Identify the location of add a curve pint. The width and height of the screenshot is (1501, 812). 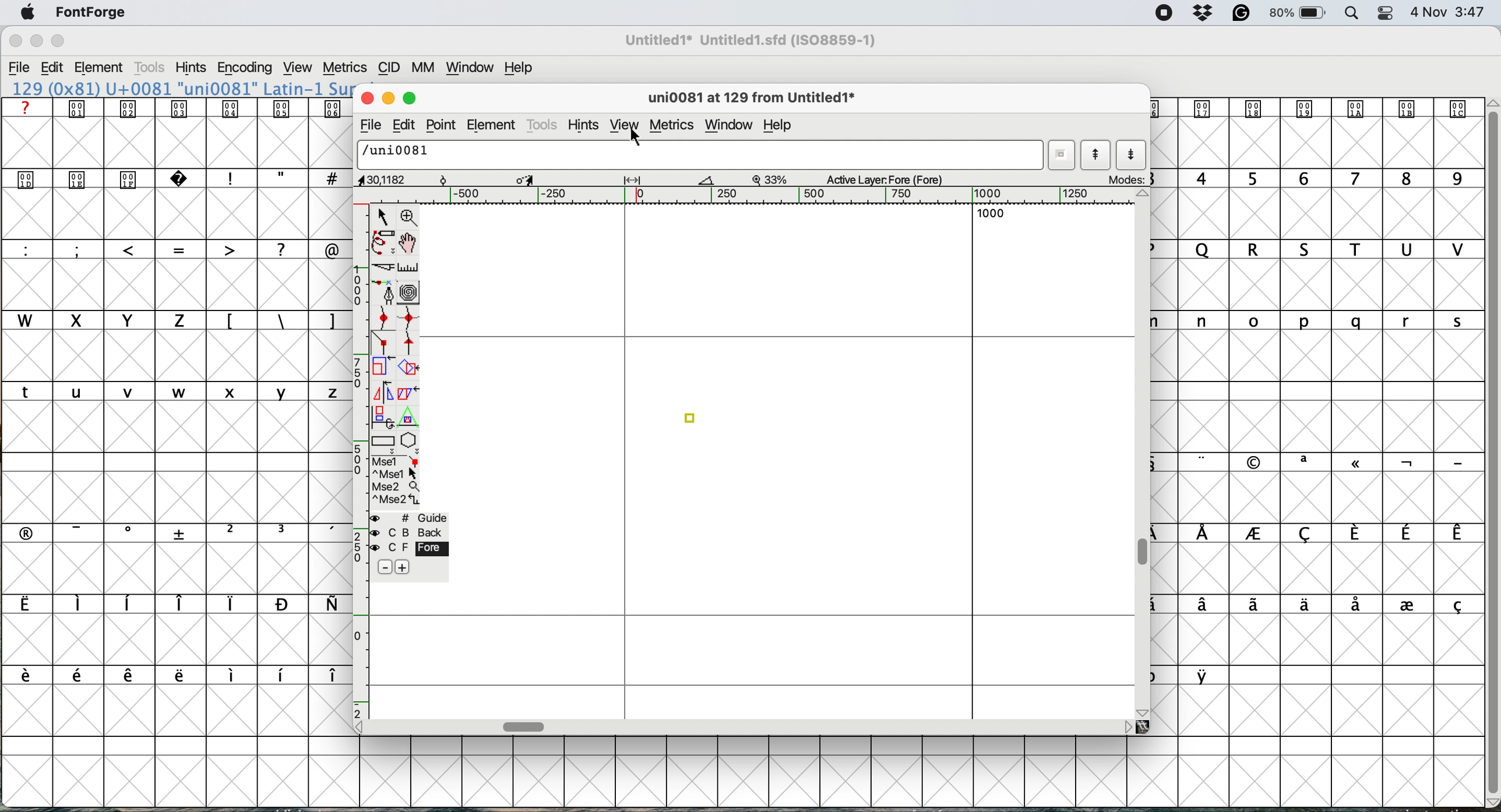
(383, 320).